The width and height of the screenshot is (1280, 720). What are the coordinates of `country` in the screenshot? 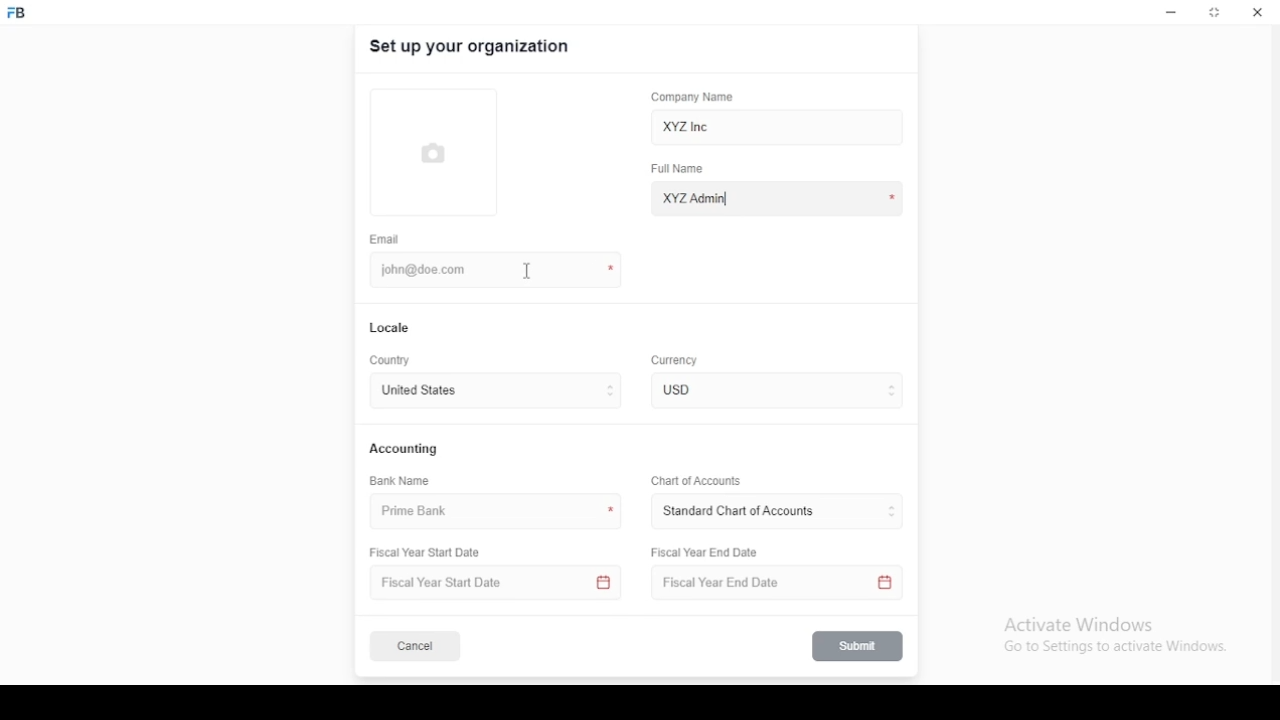 It's located at (392, 361).